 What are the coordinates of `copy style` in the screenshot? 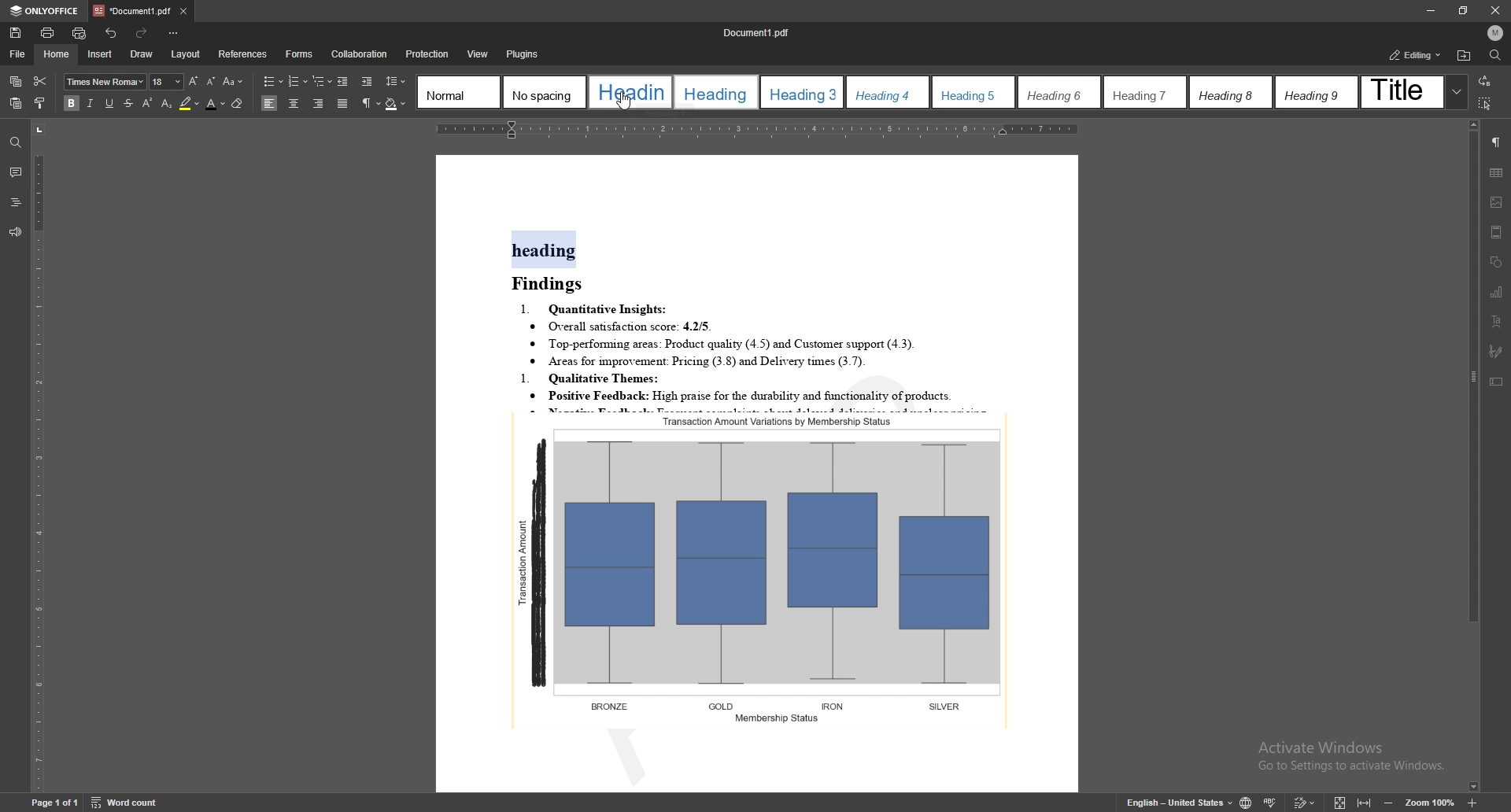 It's located at (42, 102).